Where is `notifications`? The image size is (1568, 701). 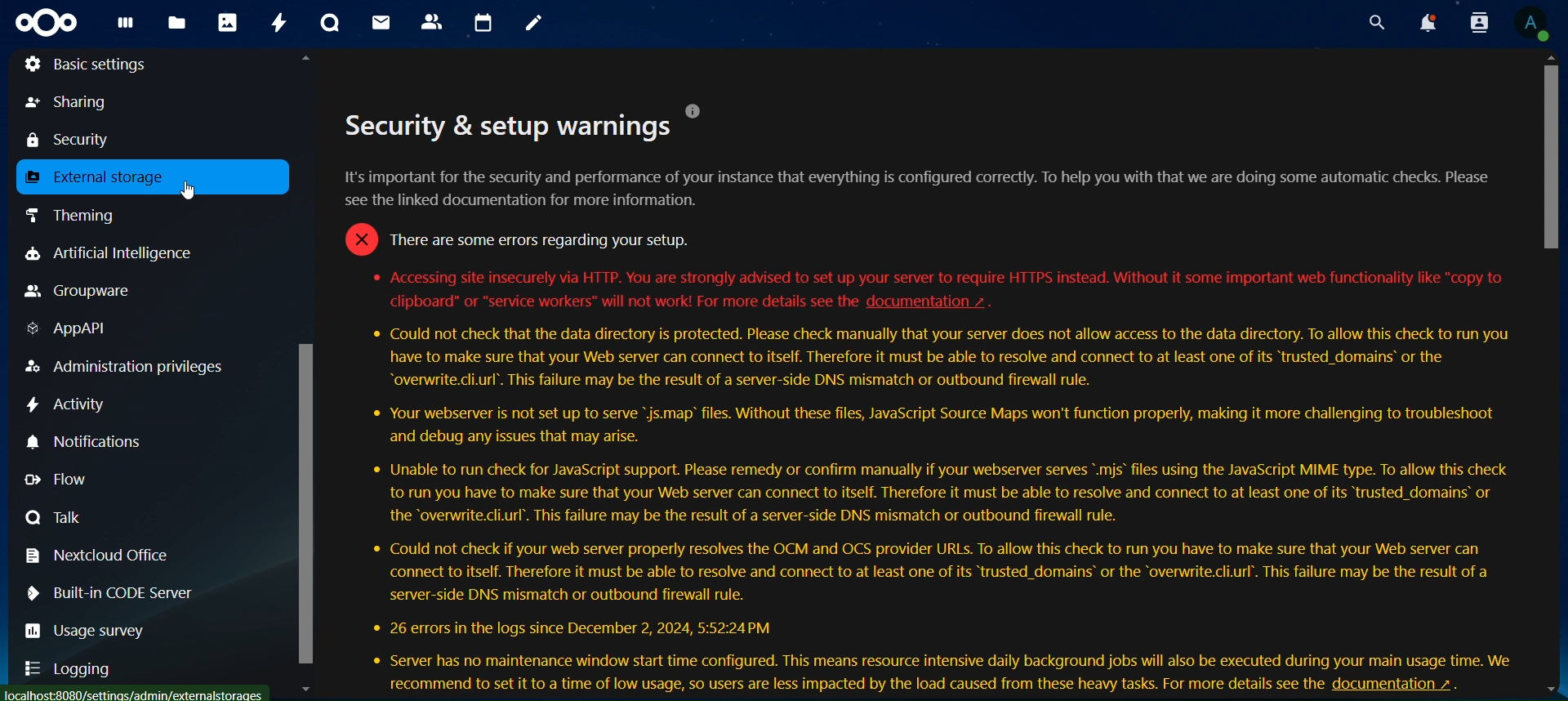 notifications is located at coordinates (1429, 22).